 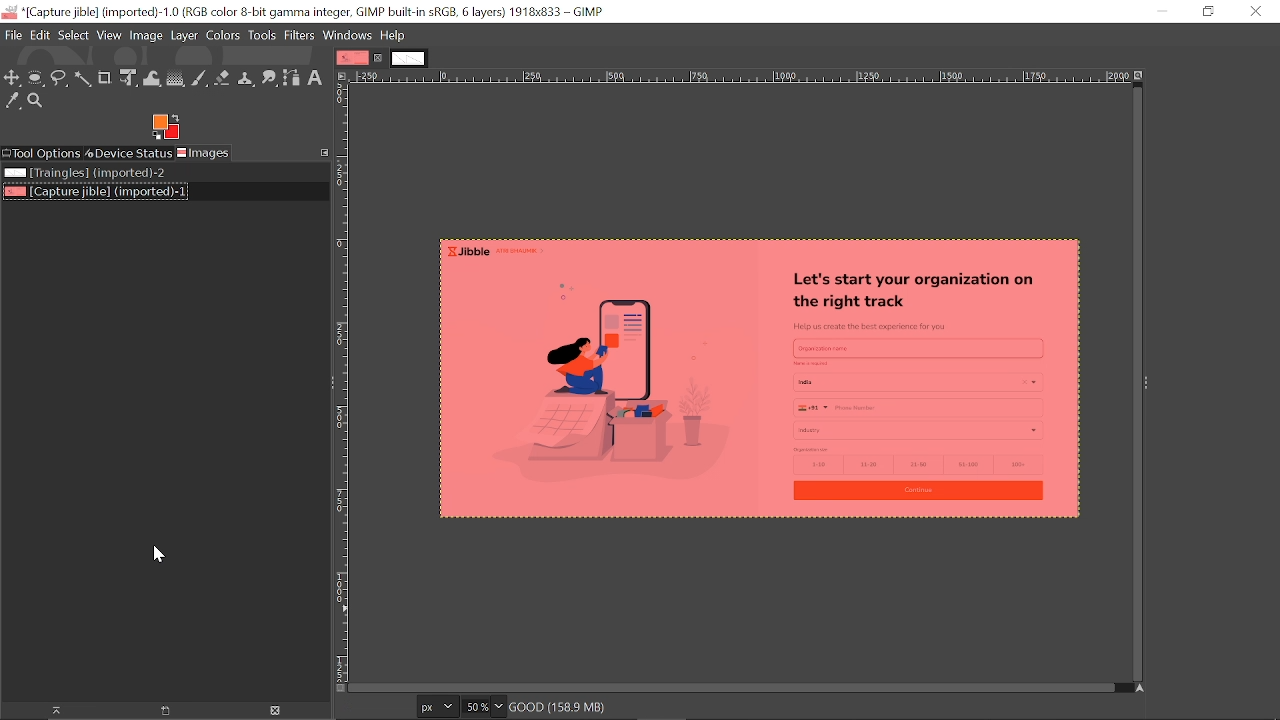 What do you see at coordinates (106, 78) in the screenshot?
I see `Crop tool` at bounding box center [106, 78].